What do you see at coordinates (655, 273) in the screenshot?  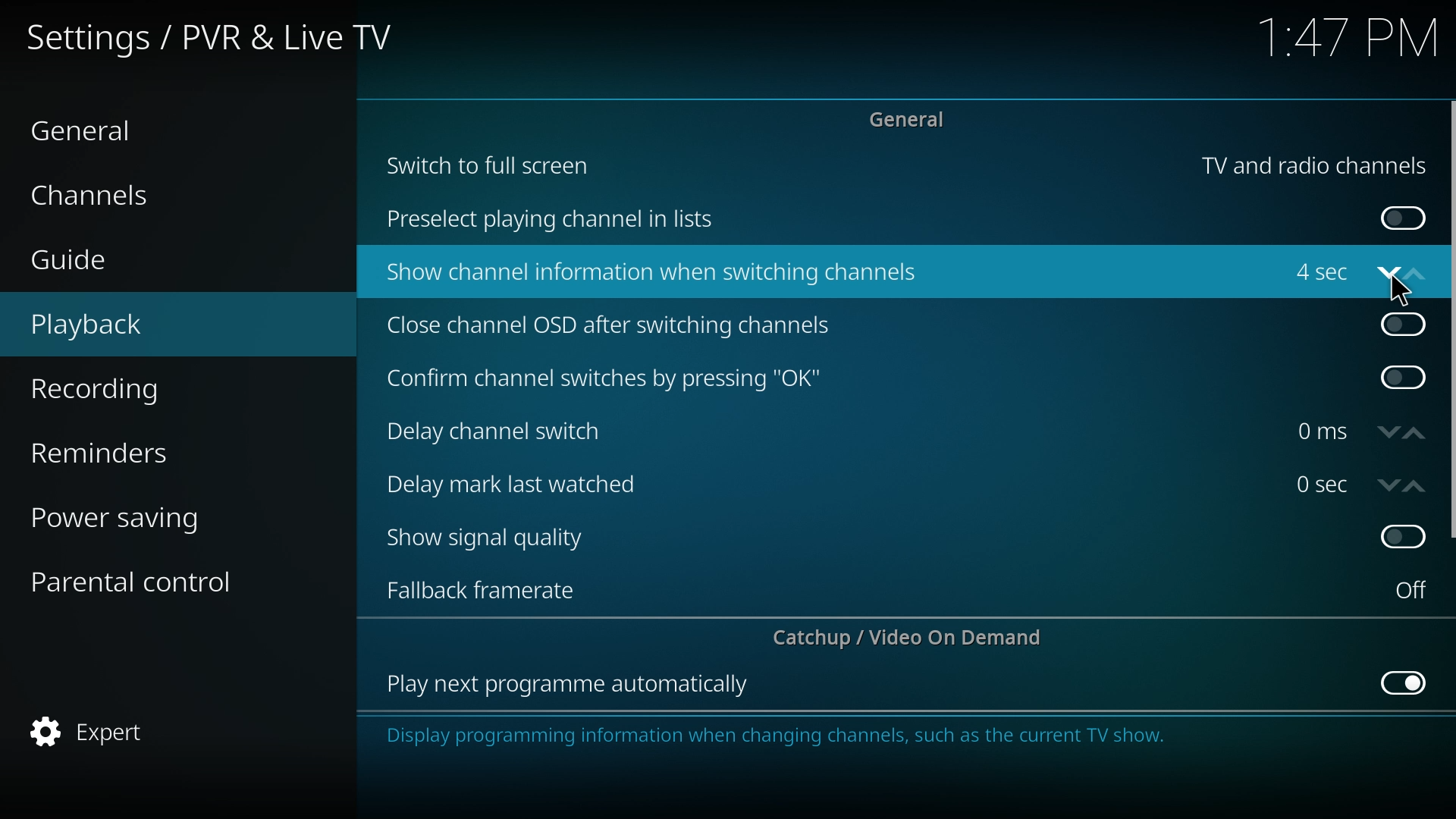 I see `show channel info when switching channels` at bounding box center [655, 273].